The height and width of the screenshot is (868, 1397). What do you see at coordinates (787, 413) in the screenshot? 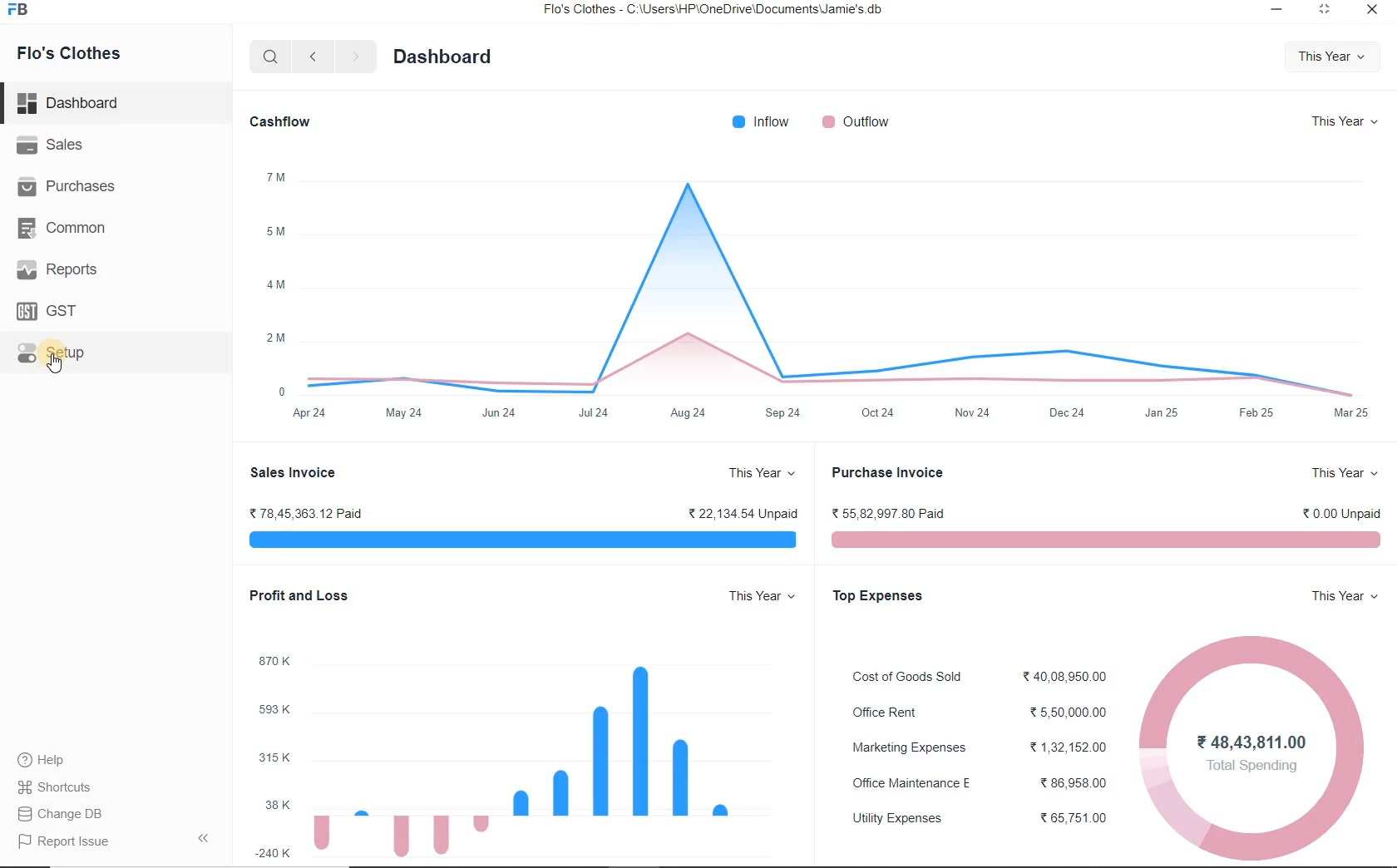
I see `Sep 24` at bounding box center [787, 413].